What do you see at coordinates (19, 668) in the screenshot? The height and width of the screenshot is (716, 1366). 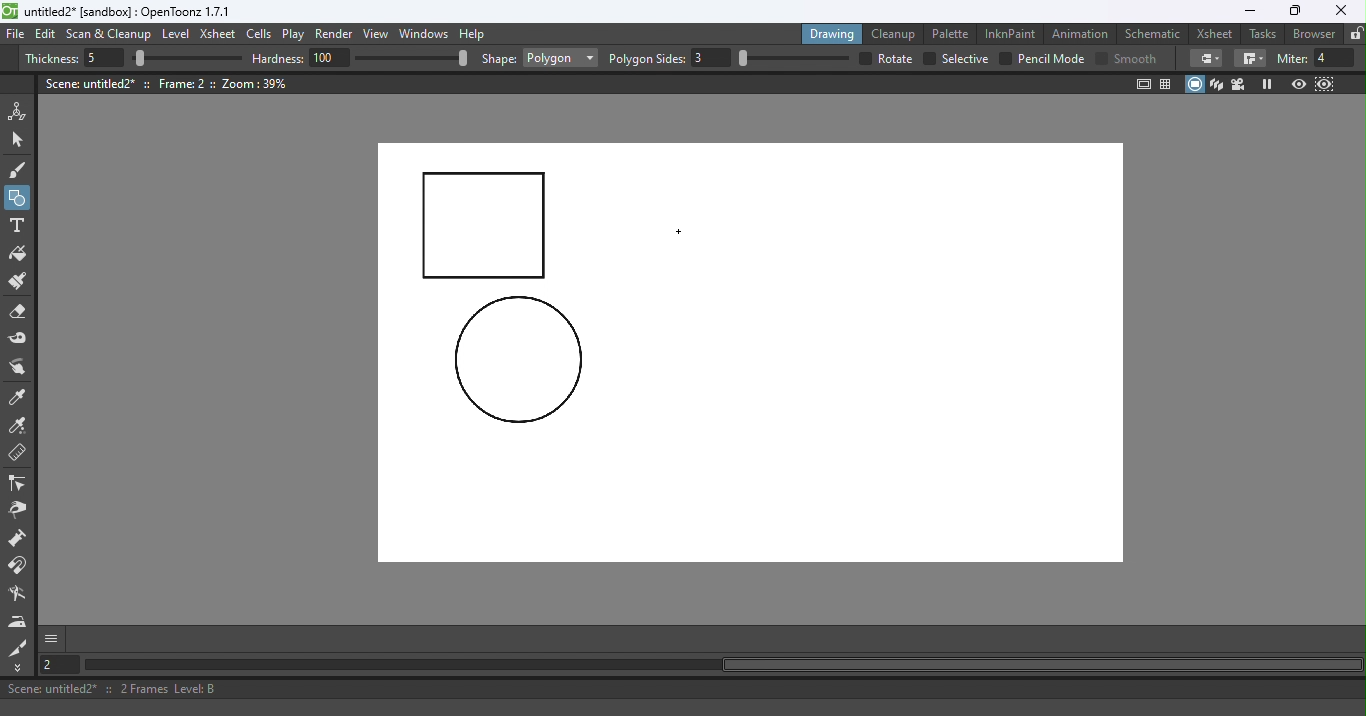 I see `More Tools` at bounding box center [19, 668].